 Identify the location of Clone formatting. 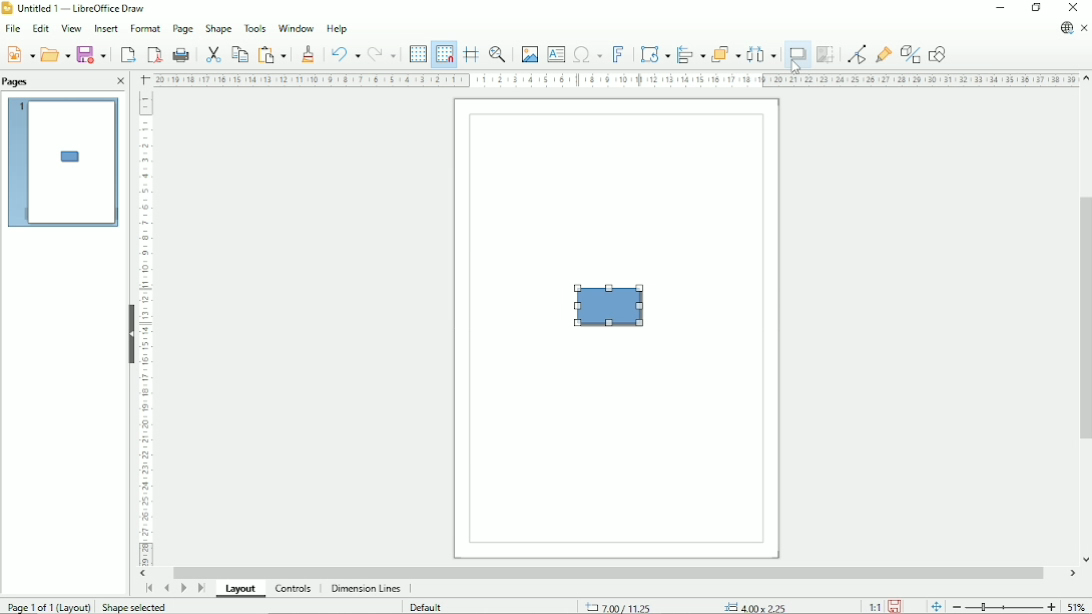
(306, 54).